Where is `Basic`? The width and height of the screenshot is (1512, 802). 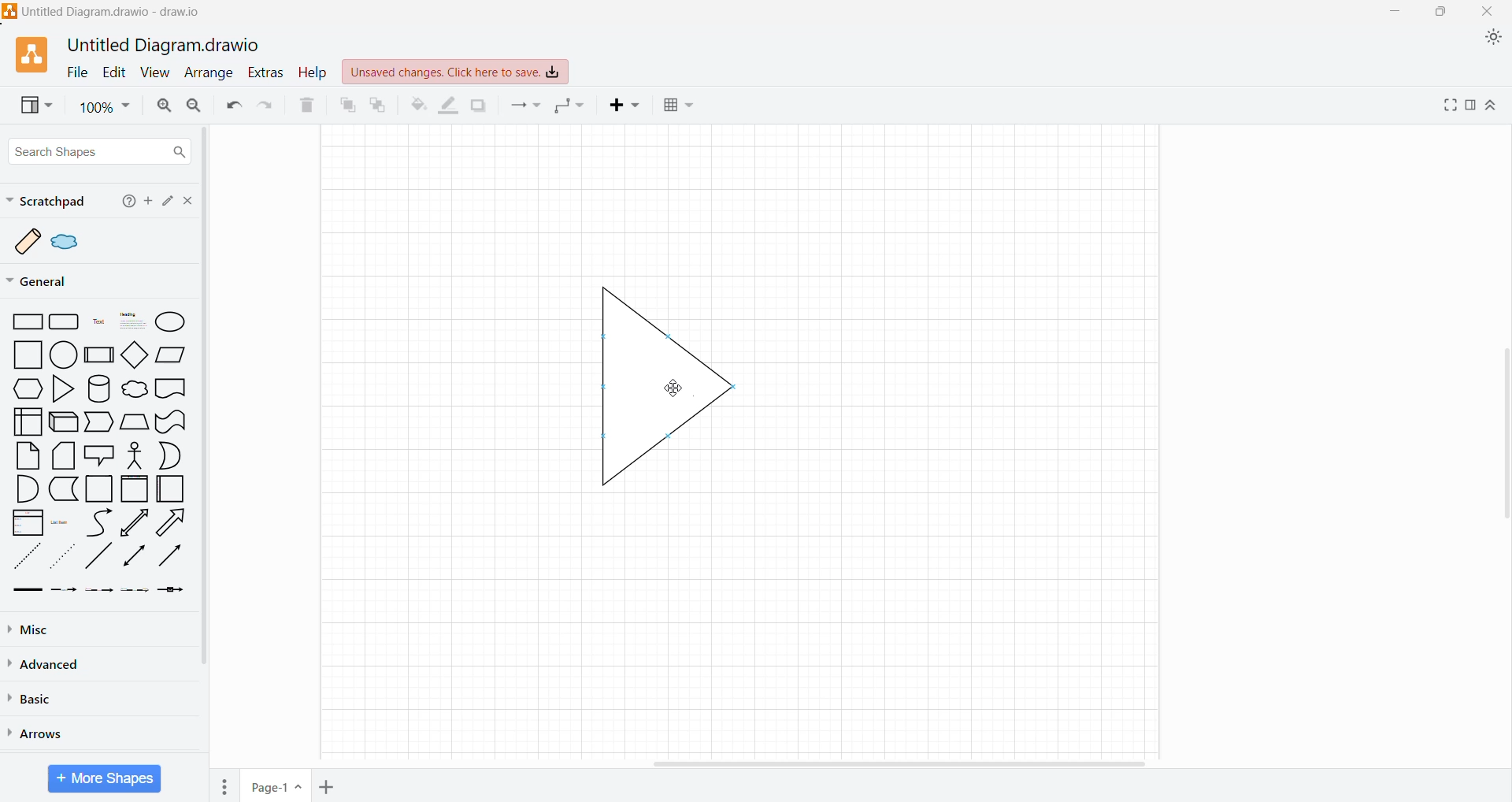 Basic is located at coordinates (34, 699).